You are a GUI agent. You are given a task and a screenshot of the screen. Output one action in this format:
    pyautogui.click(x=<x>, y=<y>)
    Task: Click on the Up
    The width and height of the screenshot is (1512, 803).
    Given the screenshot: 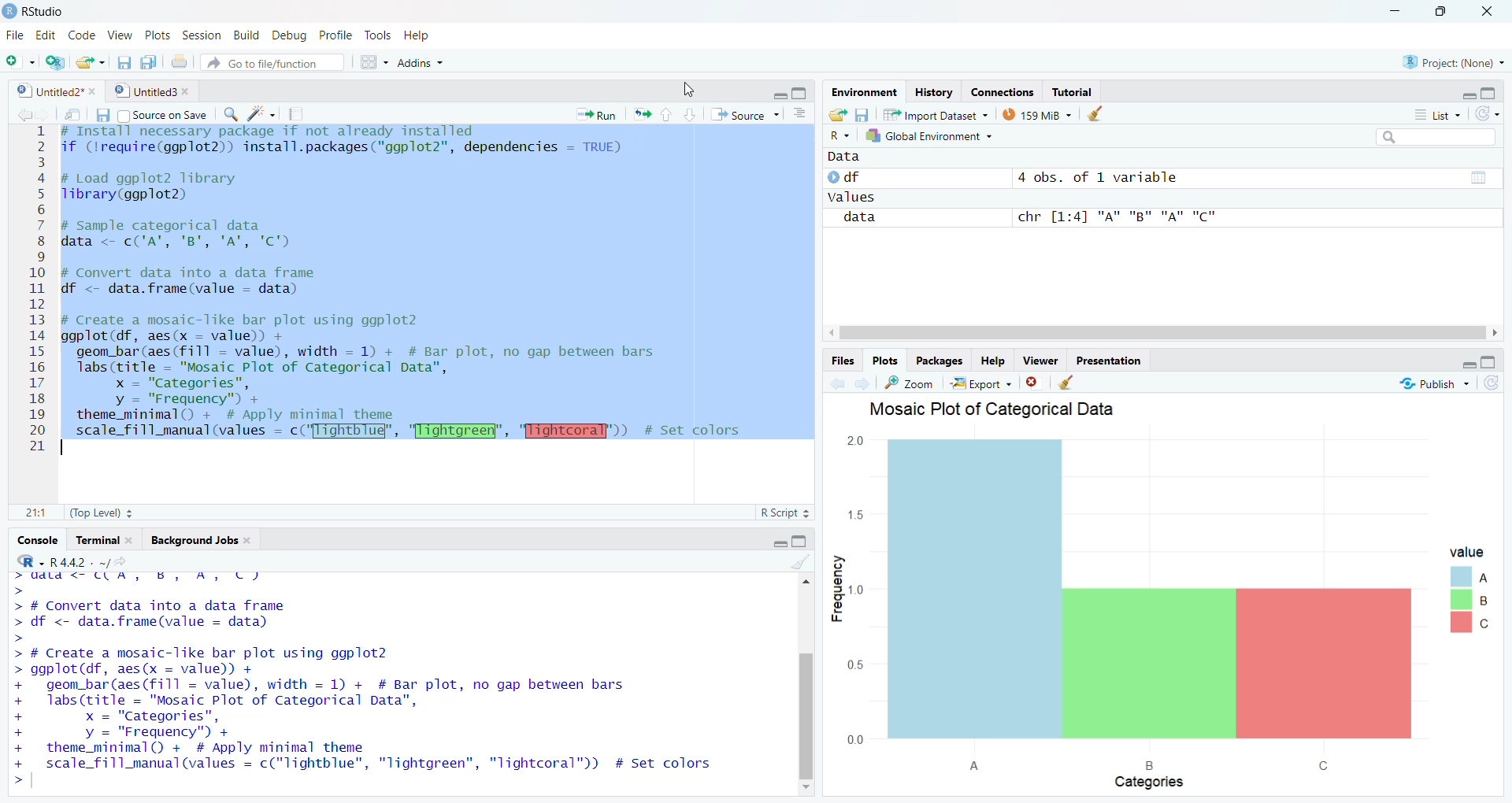 What is the action you would take?
    pyautogui.click(x=665, y=115)
    